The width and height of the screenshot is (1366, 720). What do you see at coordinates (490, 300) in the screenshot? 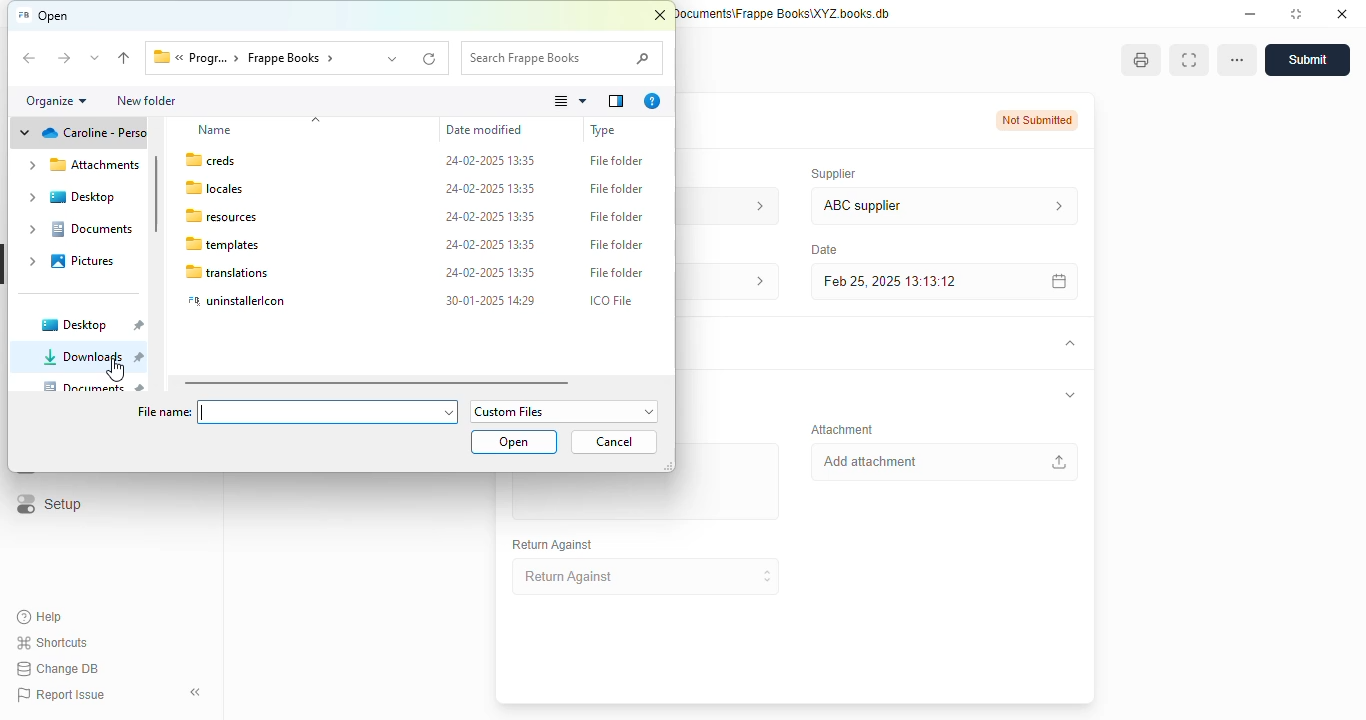
I see `30-01-2025 14:29` at bounding box center [490, 300].